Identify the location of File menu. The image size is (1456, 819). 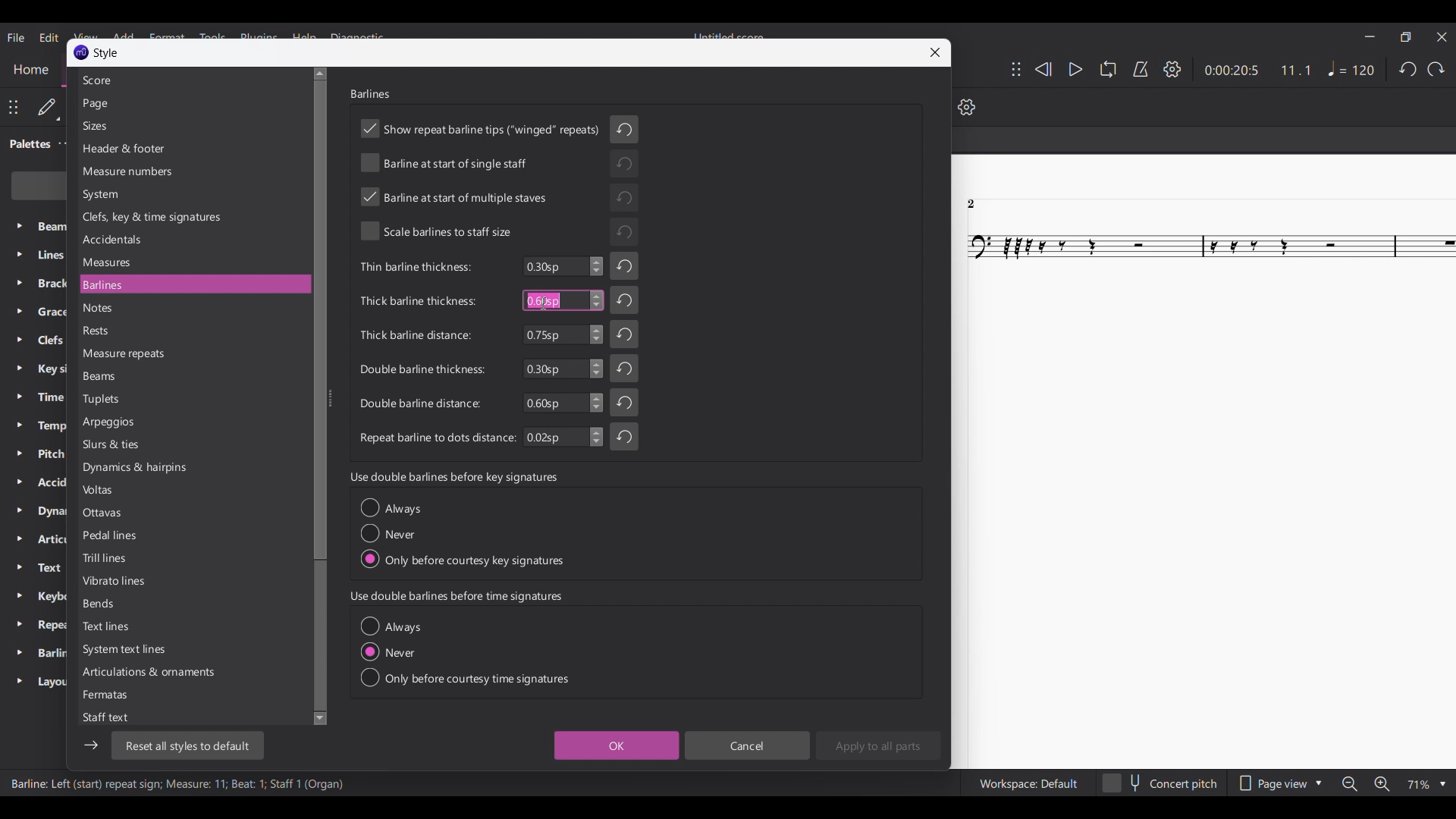
(16, 38).